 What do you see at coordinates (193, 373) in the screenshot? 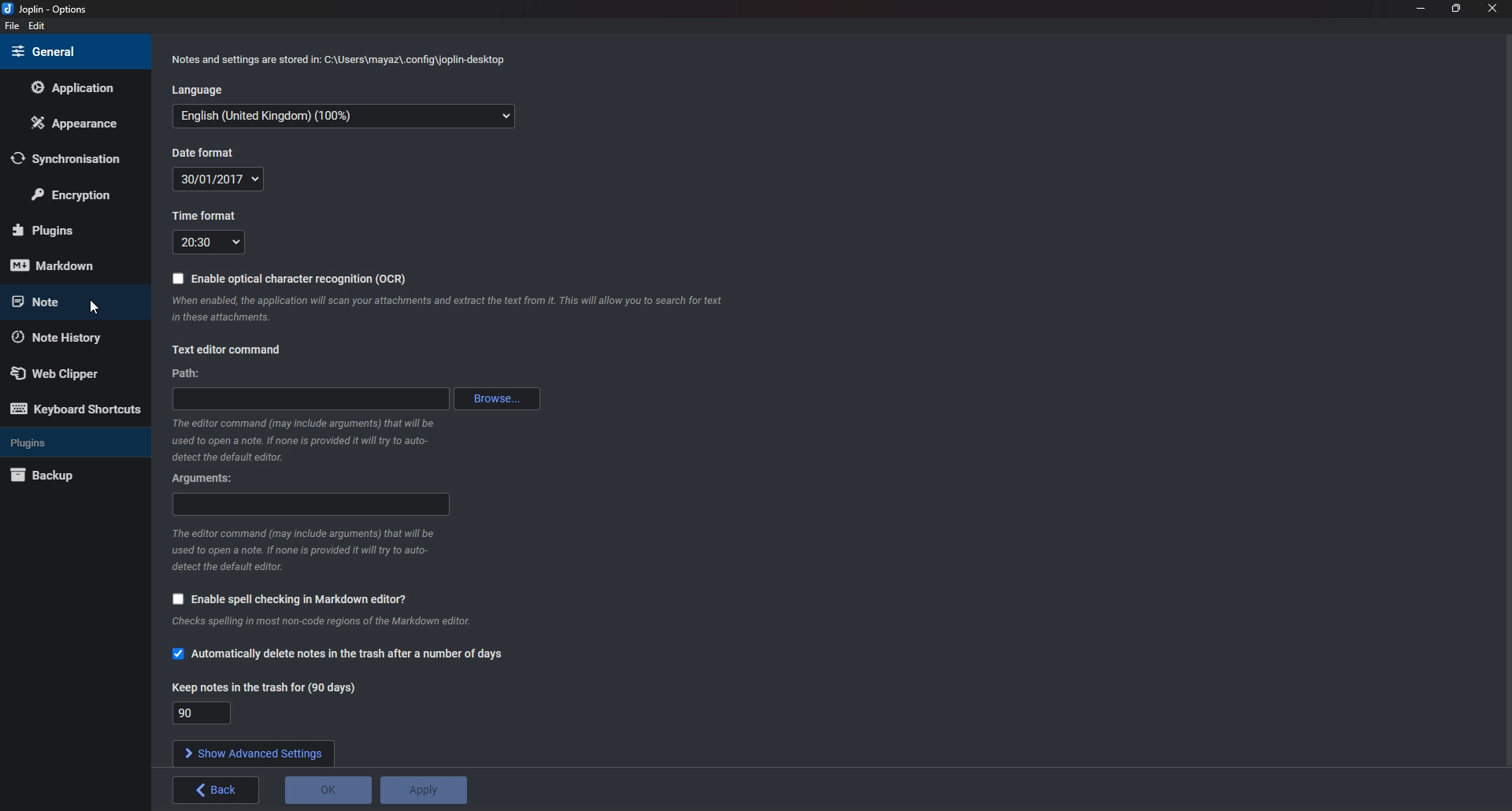
I see `path` at bounding box center [193, 373].